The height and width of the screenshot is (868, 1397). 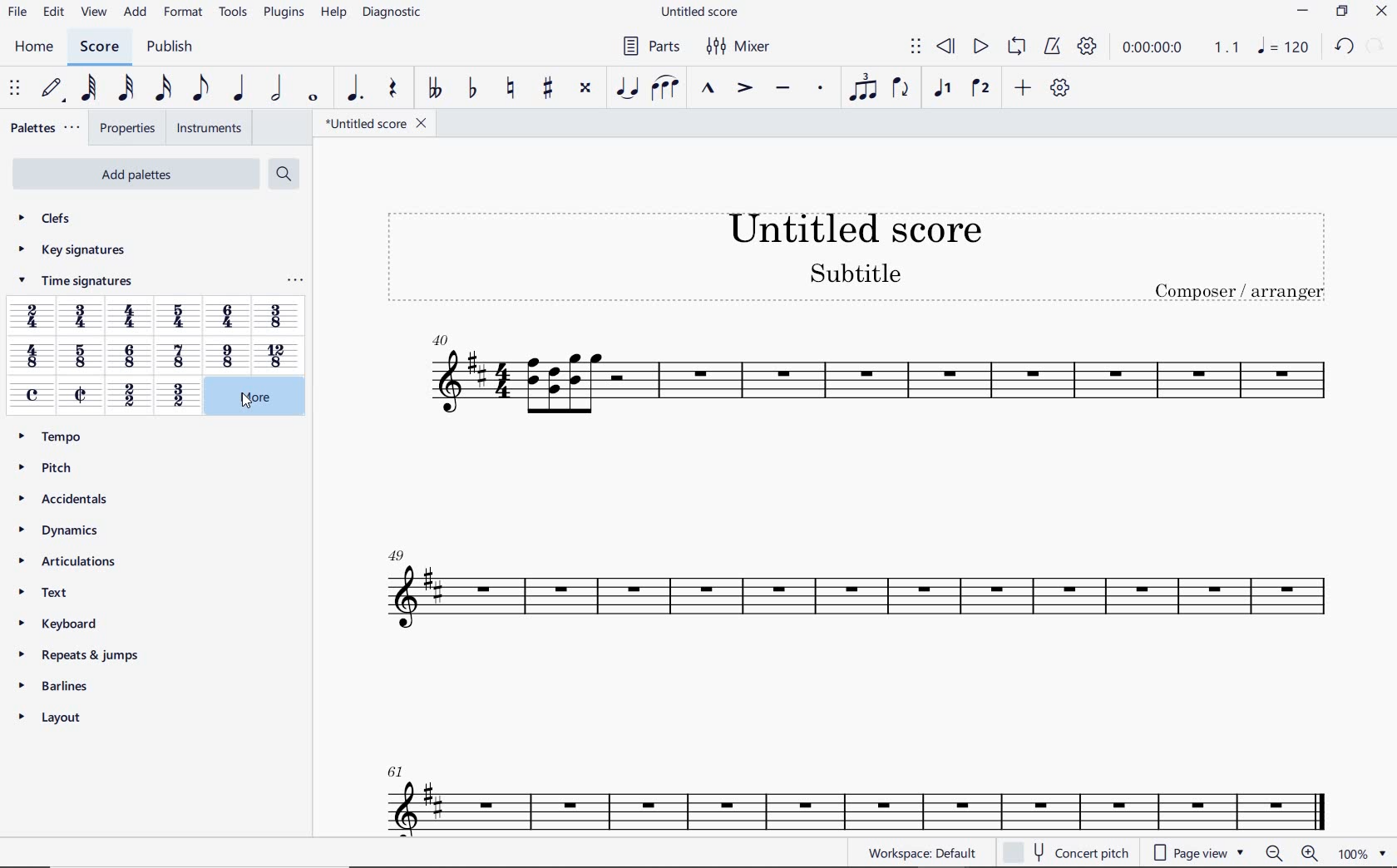 I want to click on ADD, so click(x=1023, y=87).